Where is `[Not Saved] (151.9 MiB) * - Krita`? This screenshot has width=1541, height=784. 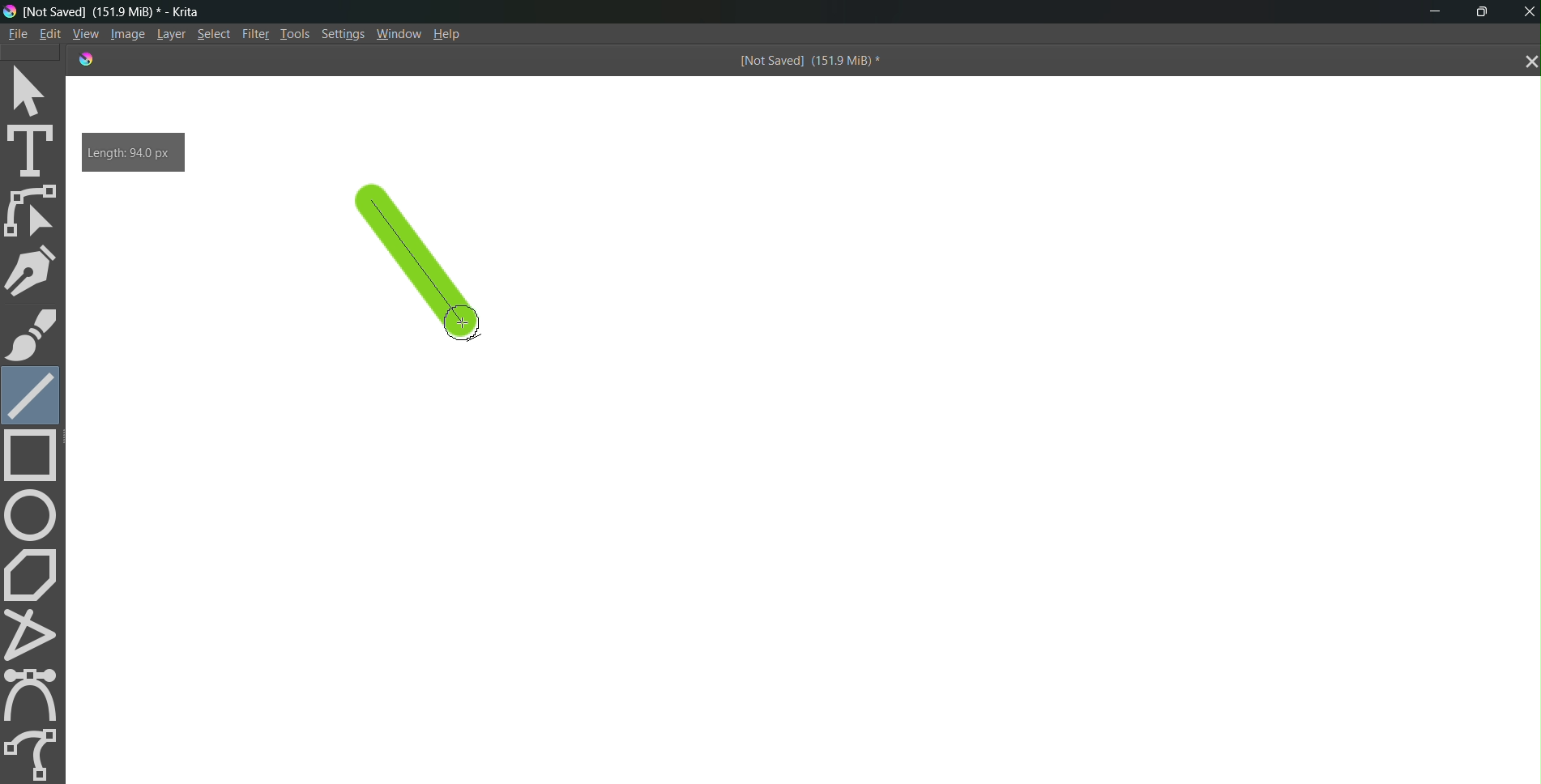 [Not Saved] (151.9 MiB) * - Krita is located at coordinates (122, 11).